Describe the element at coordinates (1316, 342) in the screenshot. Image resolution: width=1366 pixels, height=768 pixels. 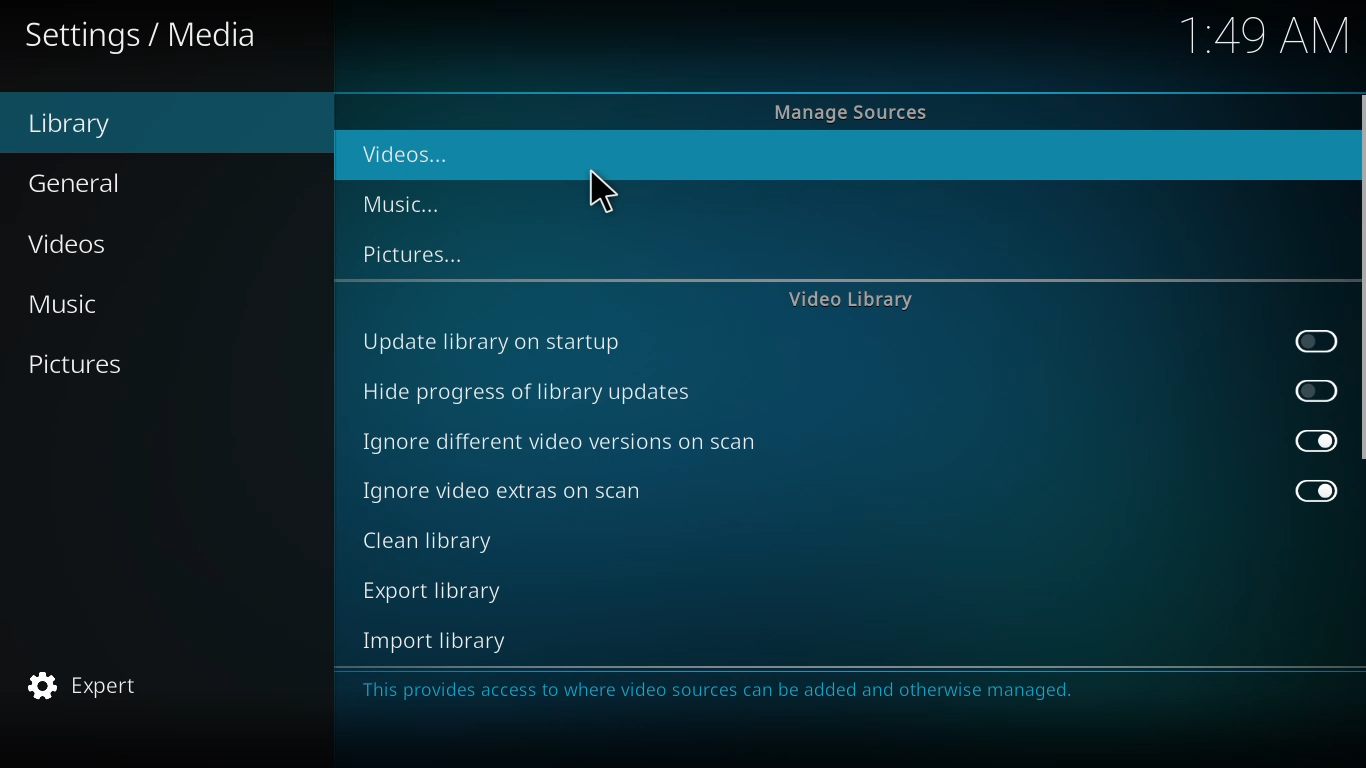
I see `anble` at that location.